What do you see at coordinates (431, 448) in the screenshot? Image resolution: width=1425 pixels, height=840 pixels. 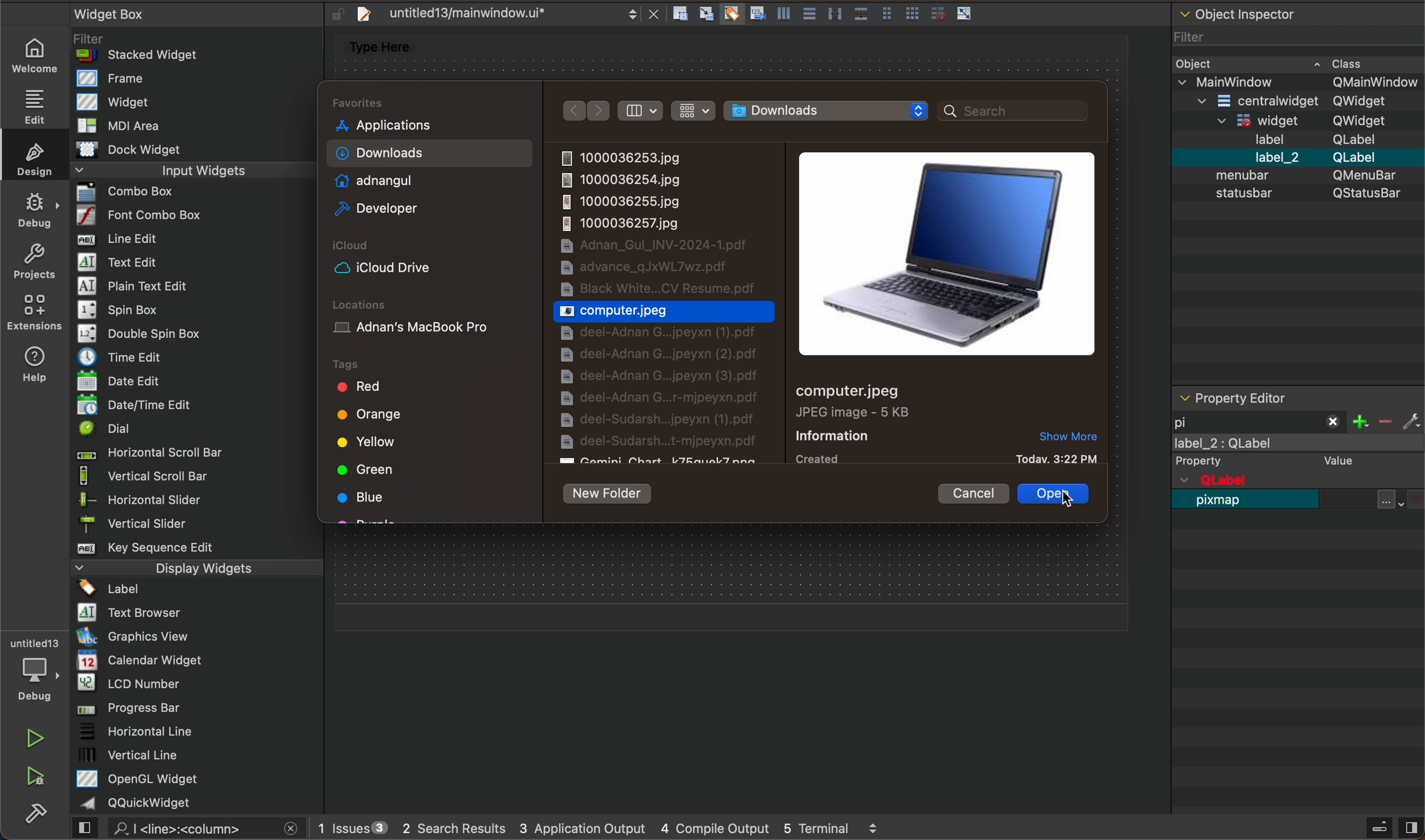 I see `tags` at bounding box center [431, 448].